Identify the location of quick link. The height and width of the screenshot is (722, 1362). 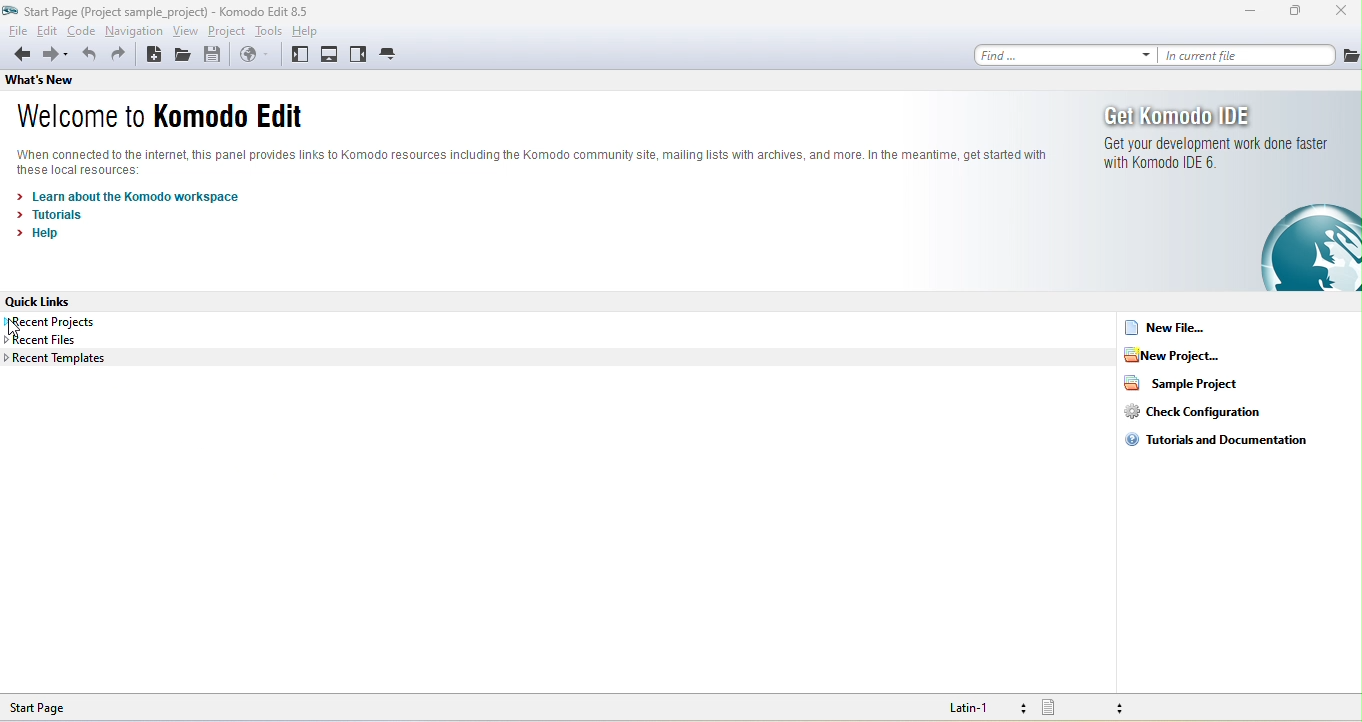
(47, 302).